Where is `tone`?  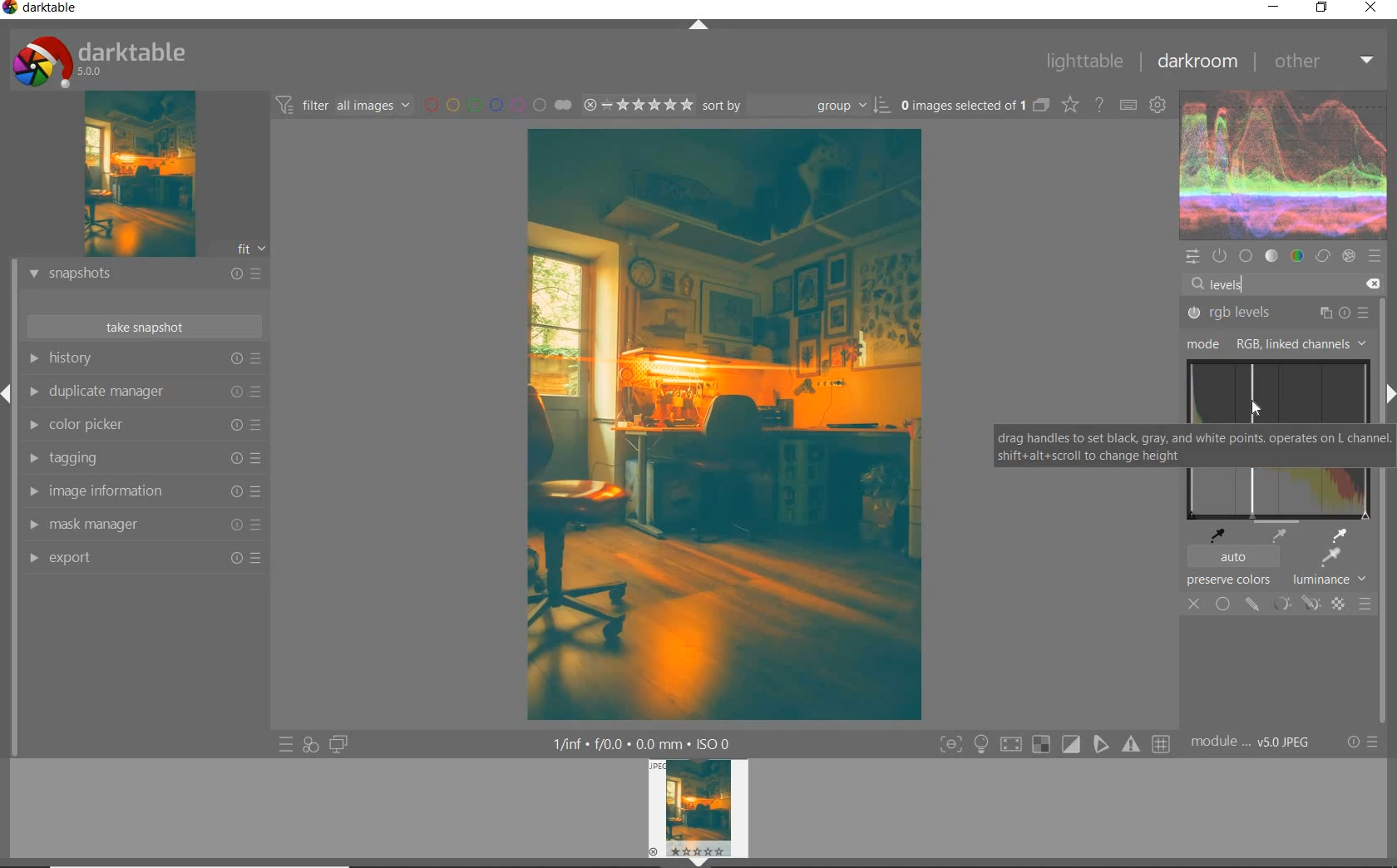 tone is located at coordinates (1272, 255).